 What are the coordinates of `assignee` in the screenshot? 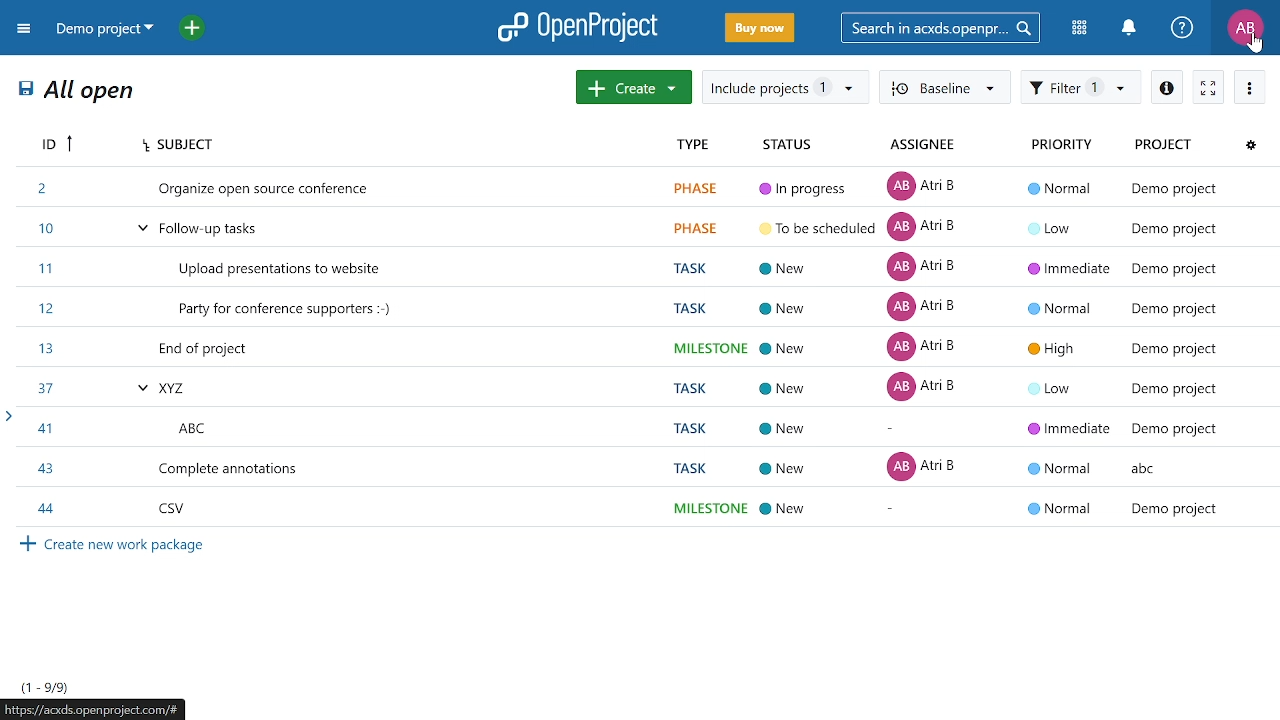 It's located at (926, 146).